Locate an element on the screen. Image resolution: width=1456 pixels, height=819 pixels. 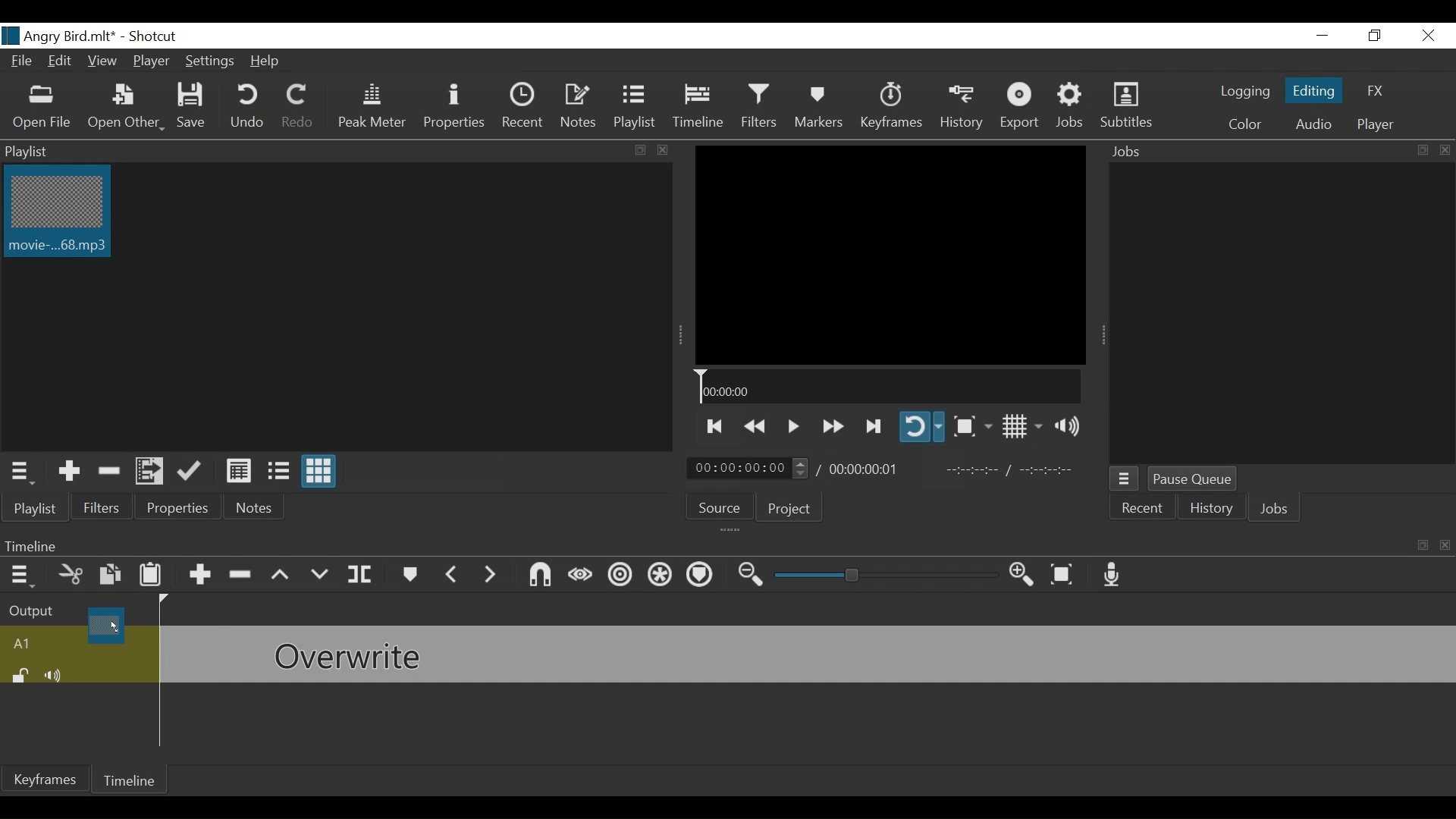
View as icons is located at coordinates (318, 471).